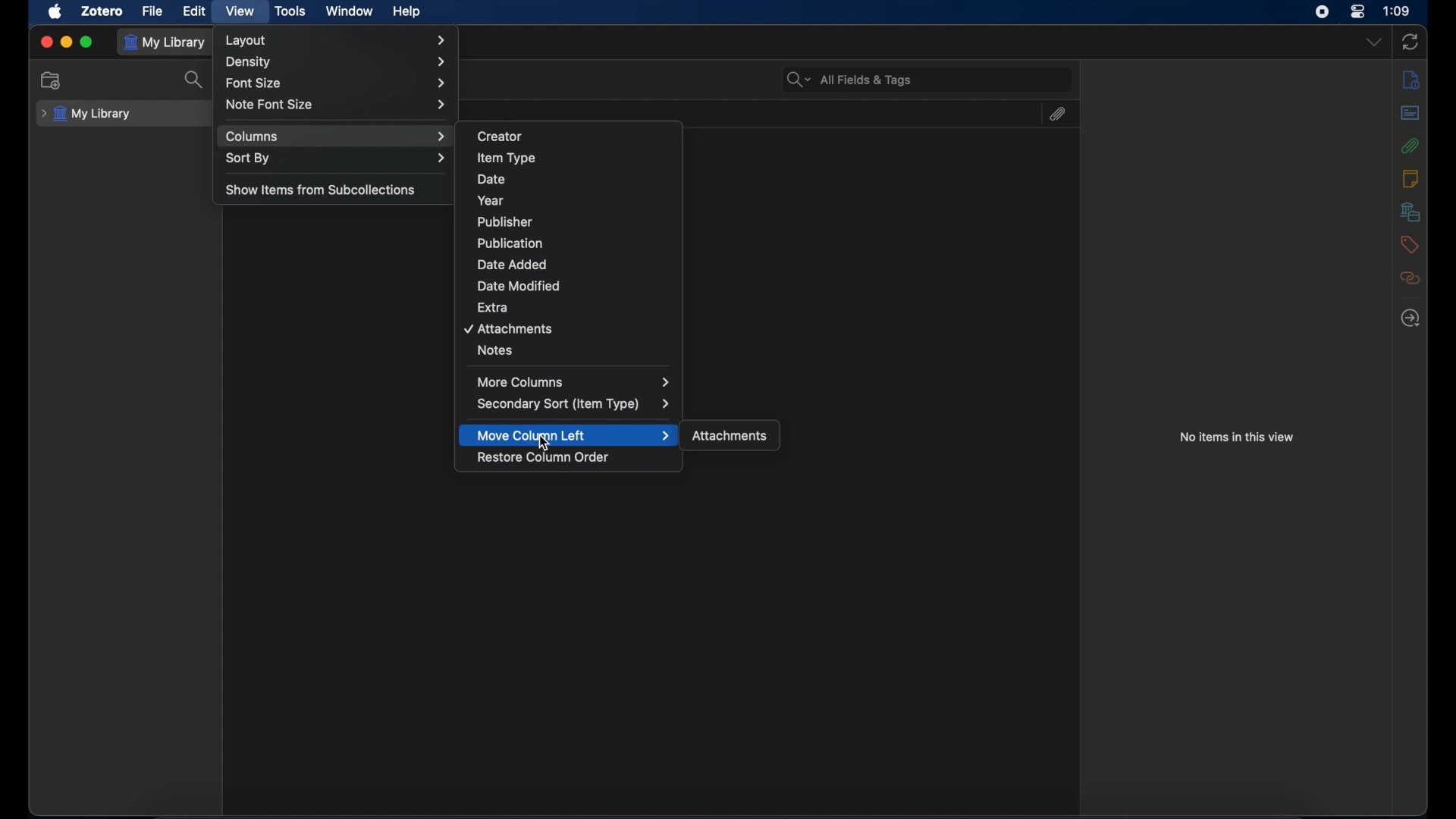 The width and height of the screenshot is (1456, 819). I want to click on edit, so click(196, 11).